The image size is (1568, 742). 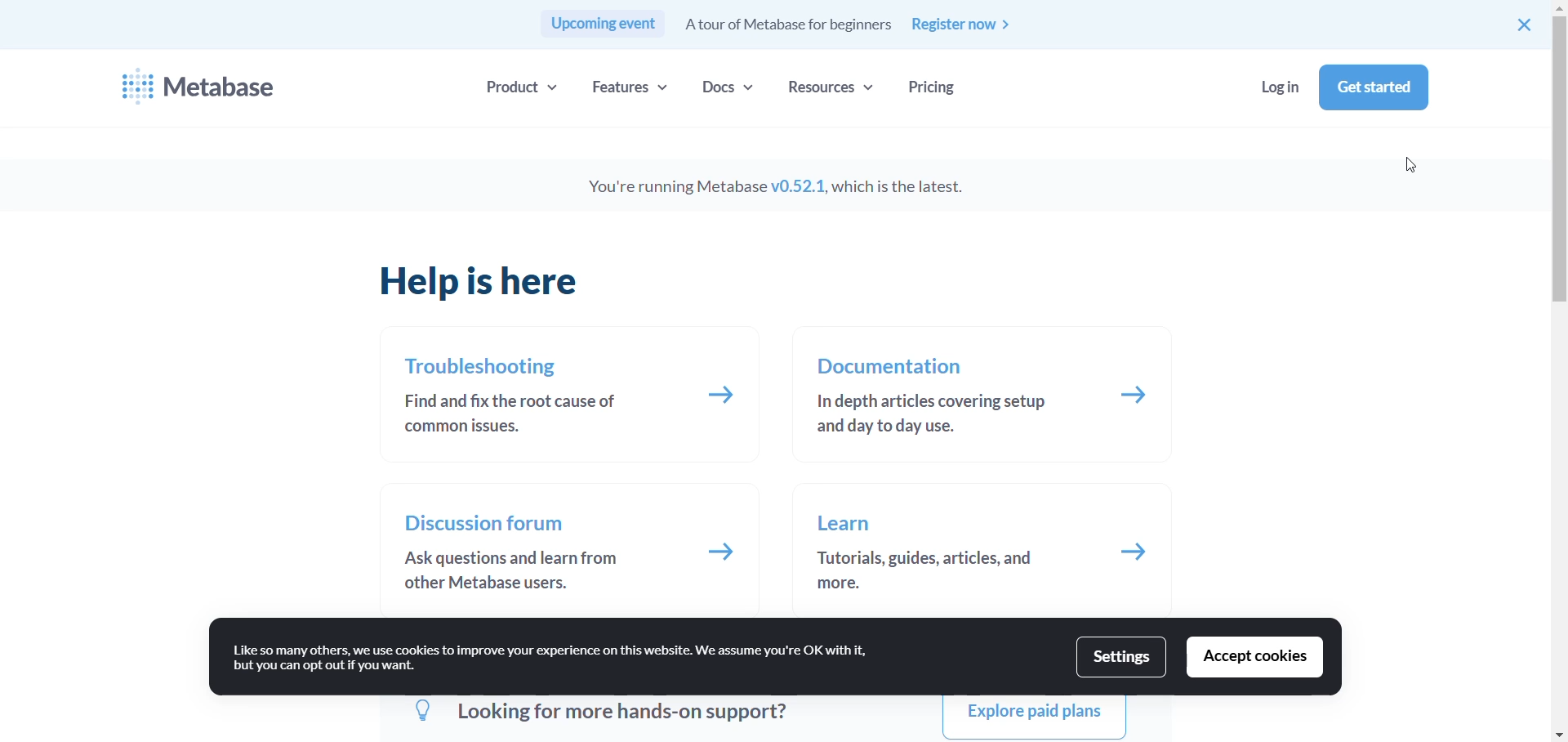 I want to click on docs, so click(x=726, y=86).